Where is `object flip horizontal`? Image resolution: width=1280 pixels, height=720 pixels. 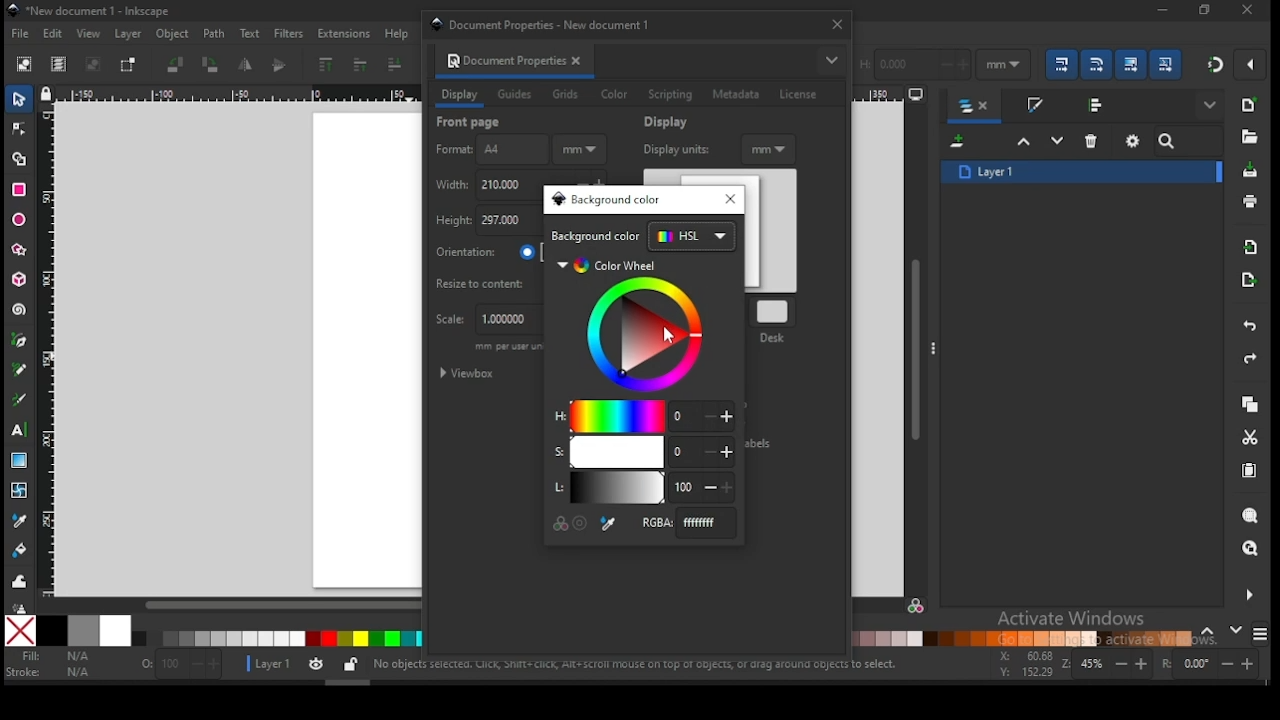
object flip horizontal is located at coordinates (246, 65).